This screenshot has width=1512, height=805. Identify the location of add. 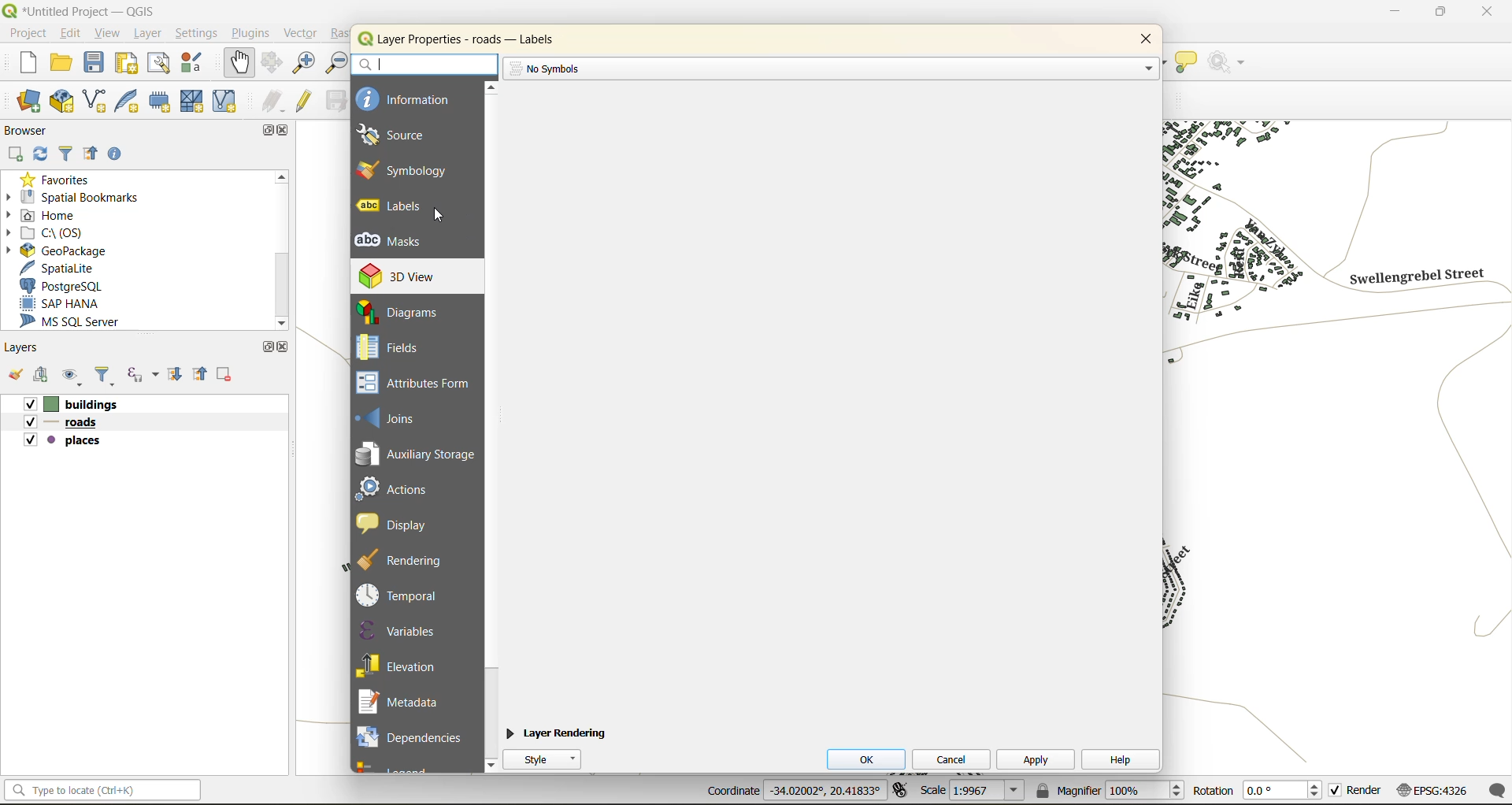
(17, 154).